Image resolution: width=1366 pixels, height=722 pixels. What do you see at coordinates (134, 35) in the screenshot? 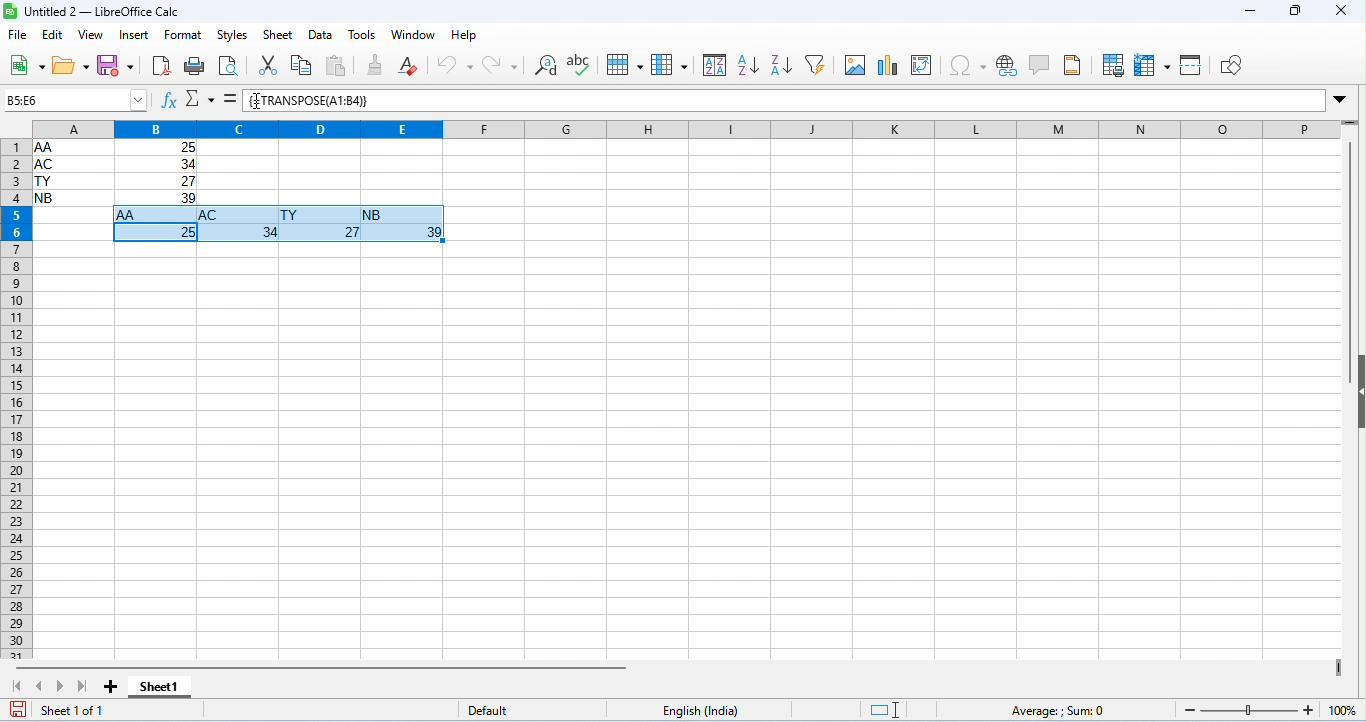
I see `insert` at bounding box center [134, 35].